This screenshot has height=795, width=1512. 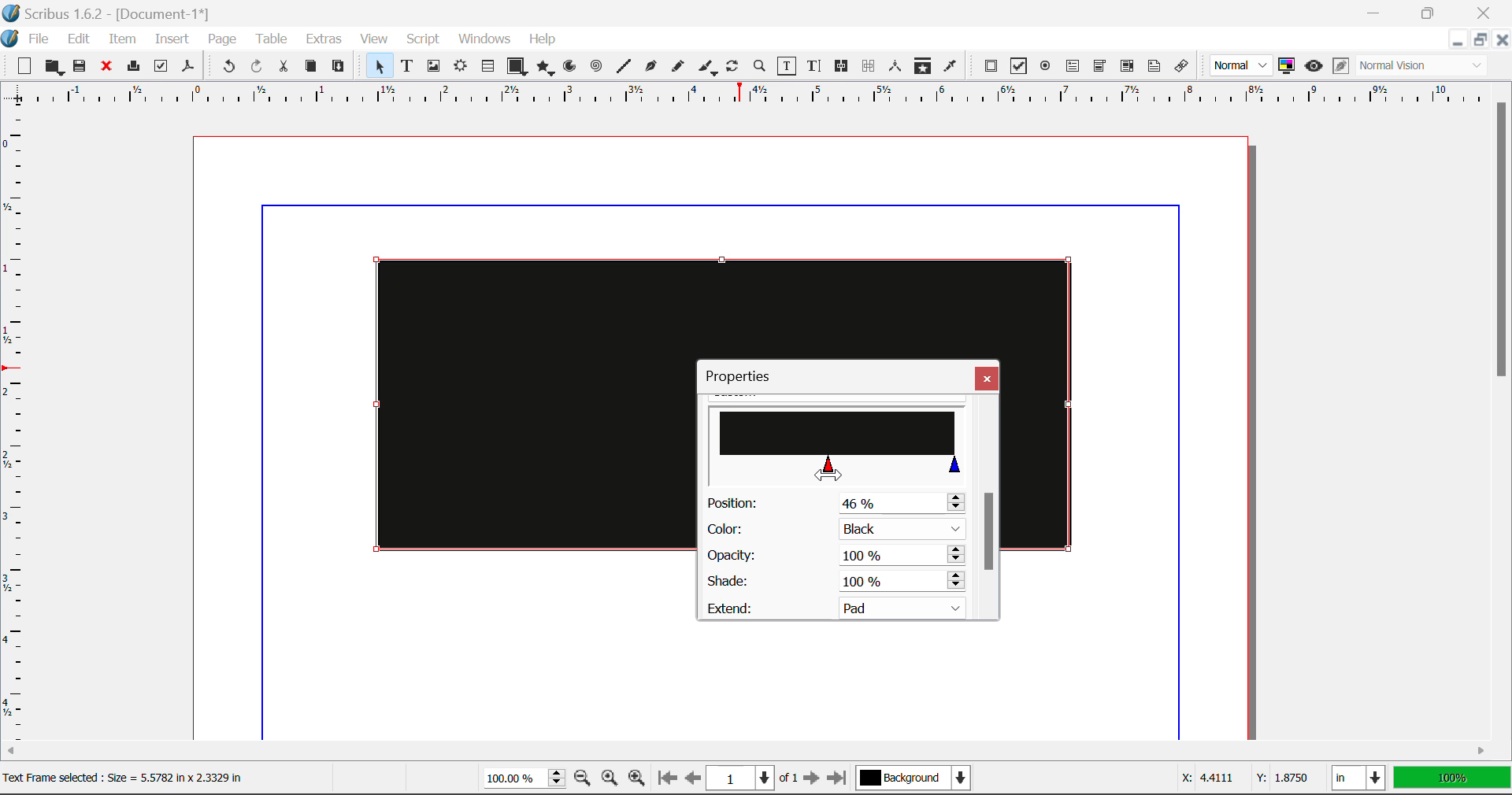 What do you see at coordinates (572, 70) in the screenshot?
I see `Arcs` at bounding box center [572, 70].